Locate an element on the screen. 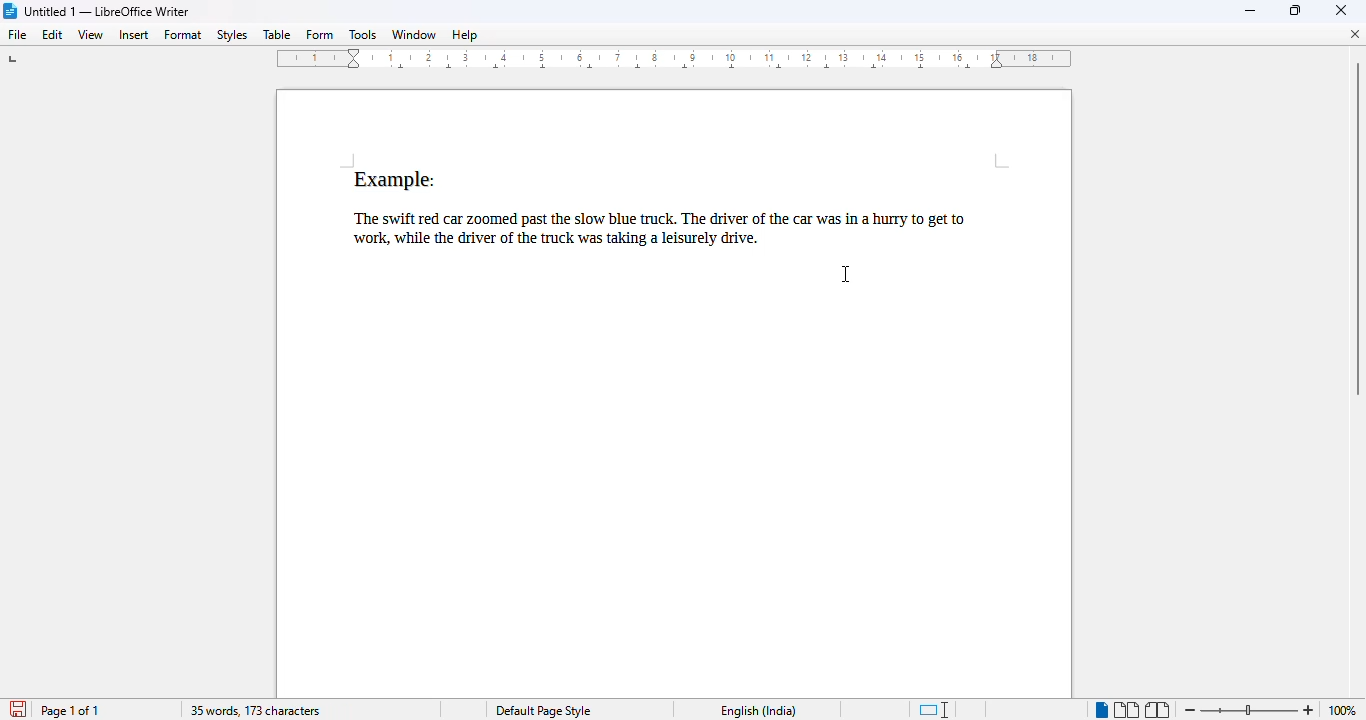 The image size is (1366, 720). maximize is located at coordinates (1295, 9).